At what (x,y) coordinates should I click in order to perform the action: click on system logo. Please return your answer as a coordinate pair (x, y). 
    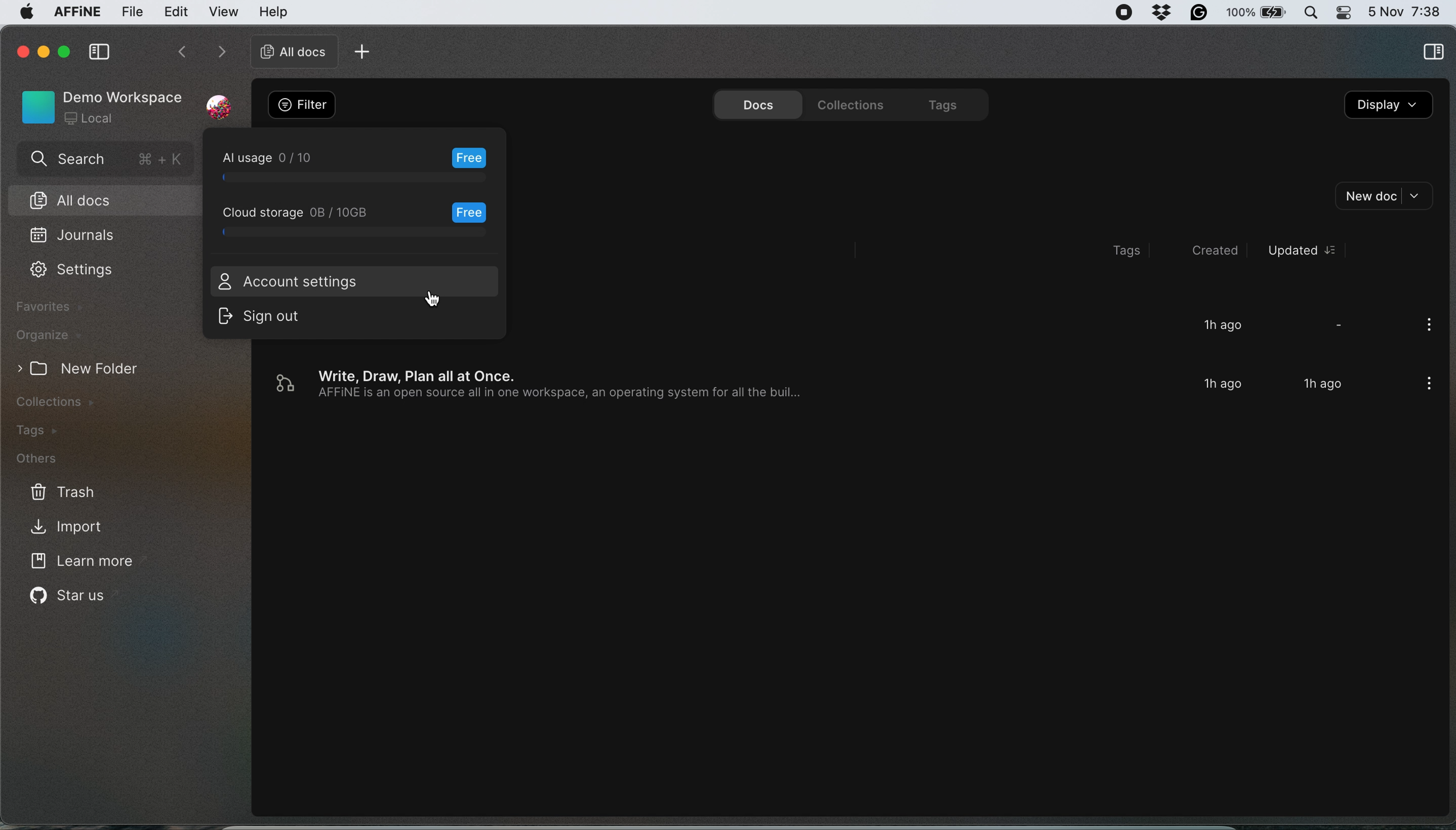
    Looking at the image, I should click on (26, 15).